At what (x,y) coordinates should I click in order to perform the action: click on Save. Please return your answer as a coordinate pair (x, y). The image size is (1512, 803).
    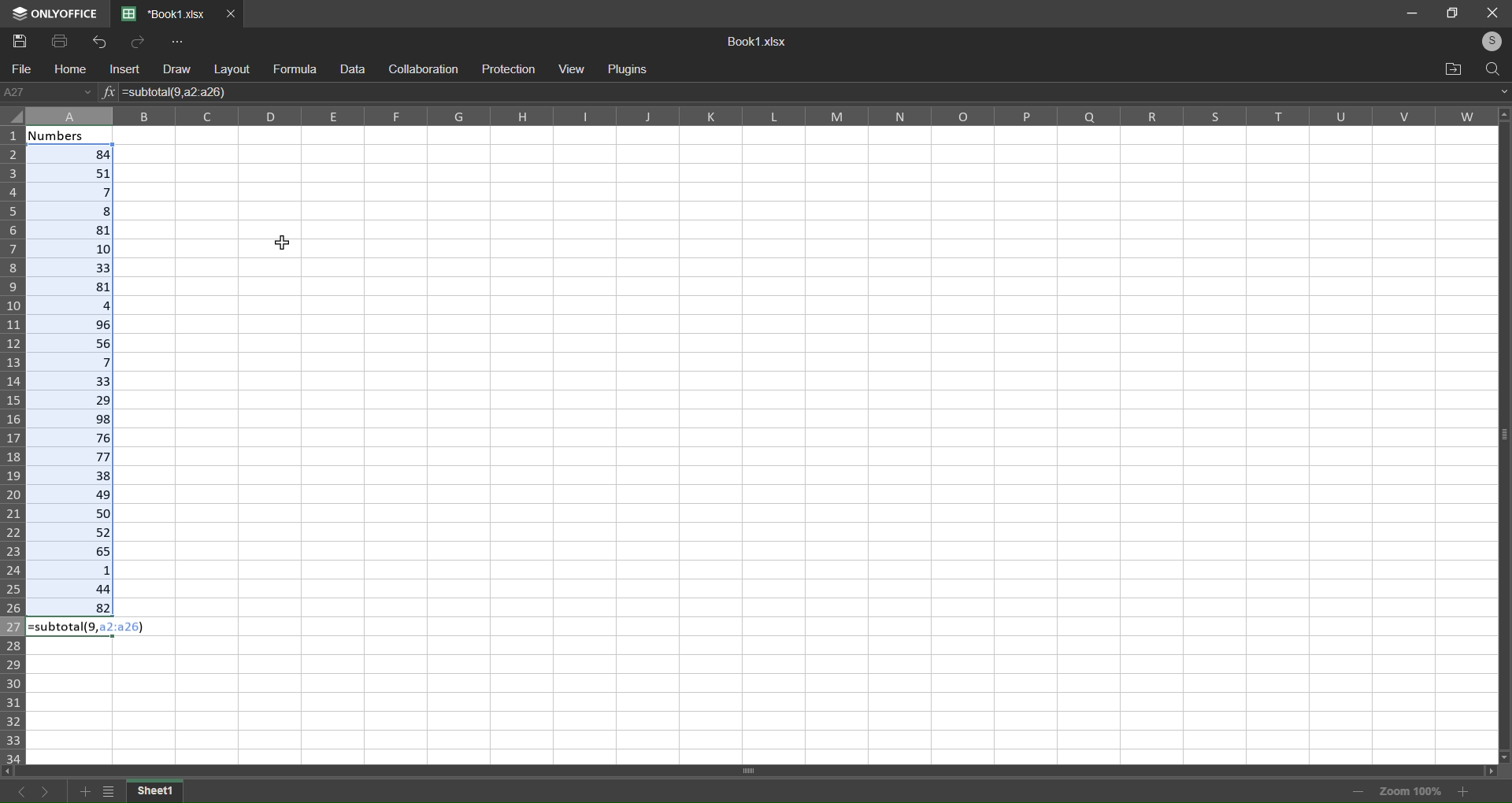
    Looking at the image, I should click on (21, 40).